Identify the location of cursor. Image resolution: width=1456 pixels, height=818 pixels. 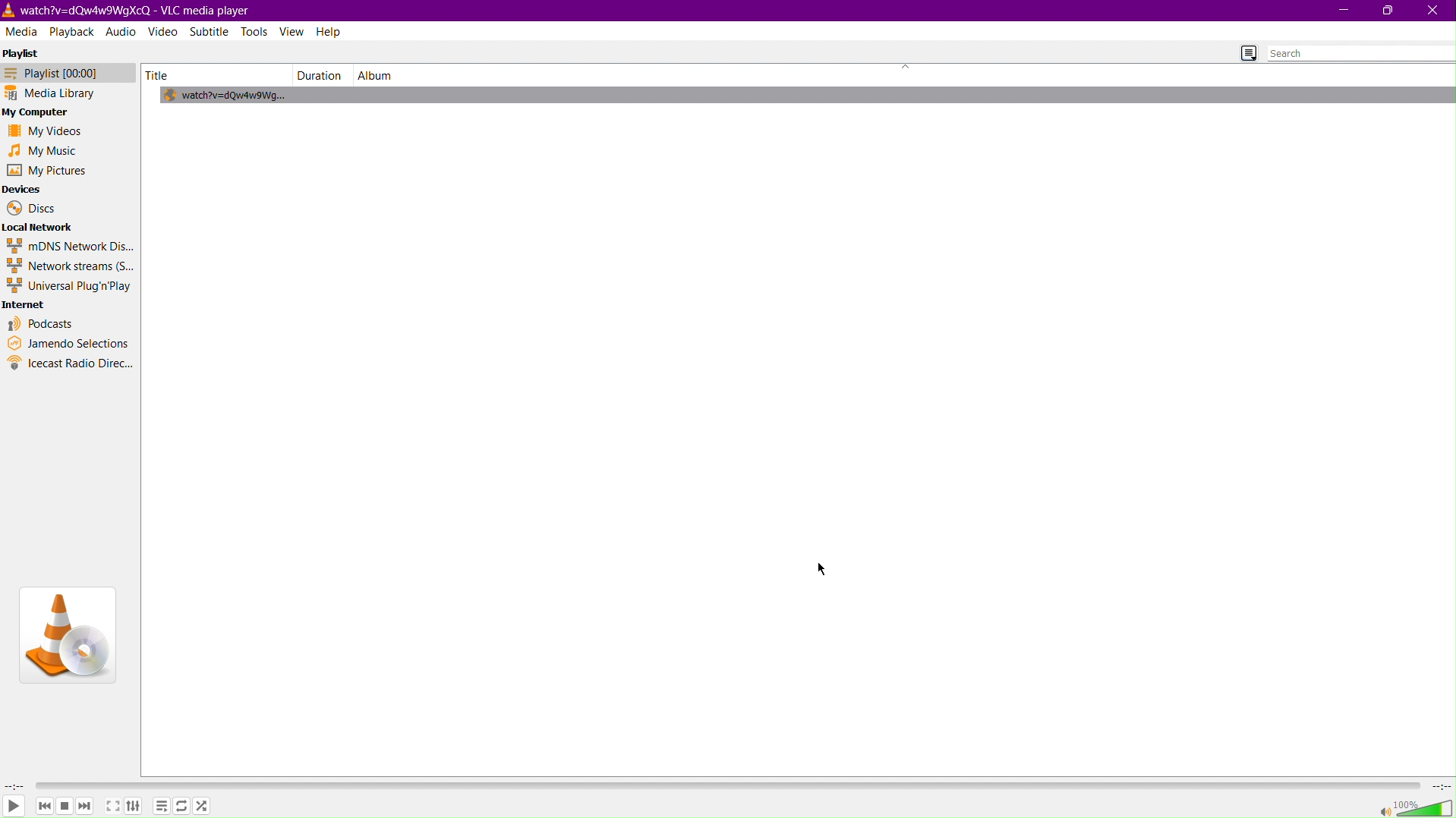
(823, 569).